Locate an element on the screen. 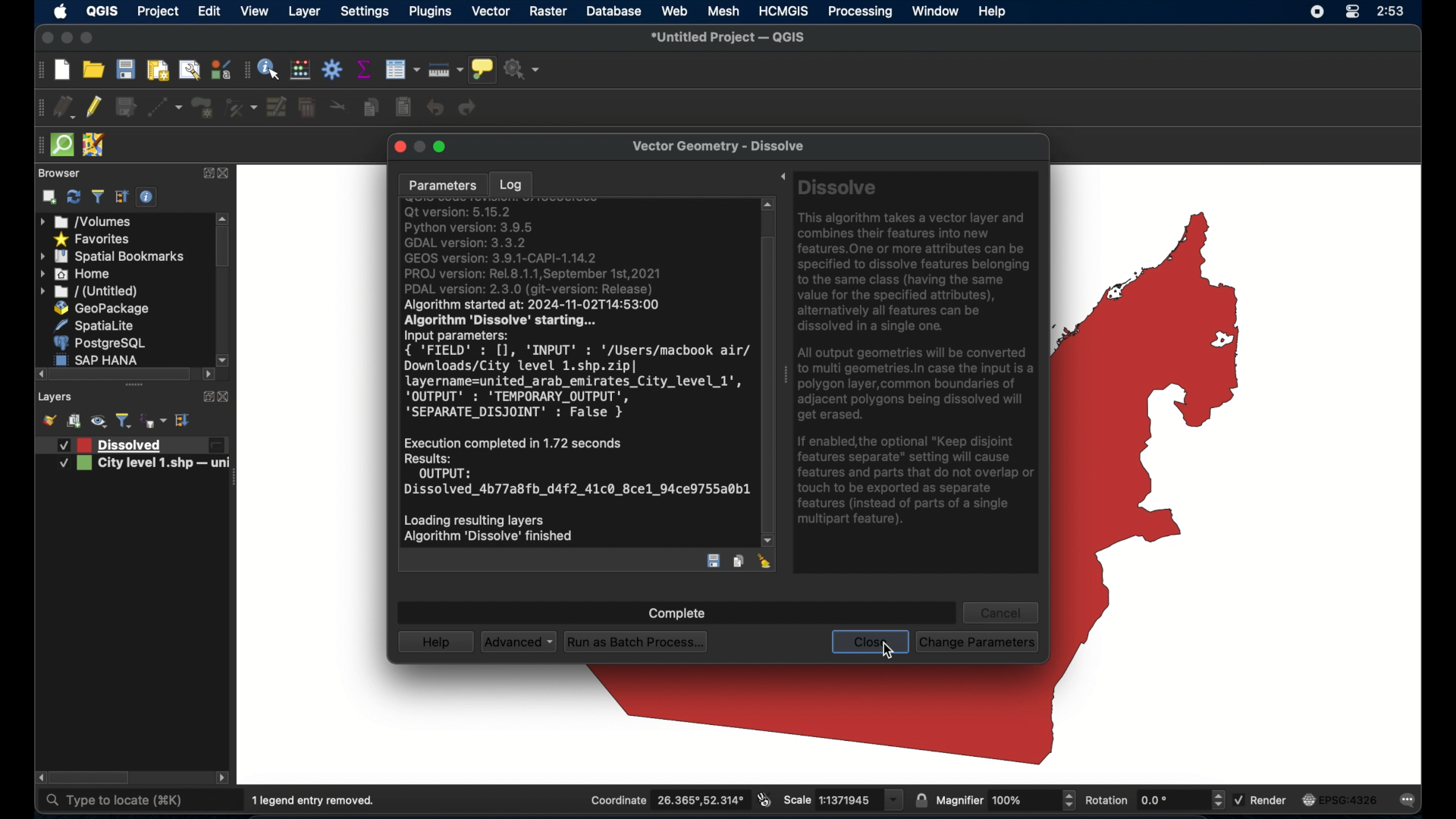 This screenshot has height=819, width=1456. expand all is located at coordinates (122, 197).